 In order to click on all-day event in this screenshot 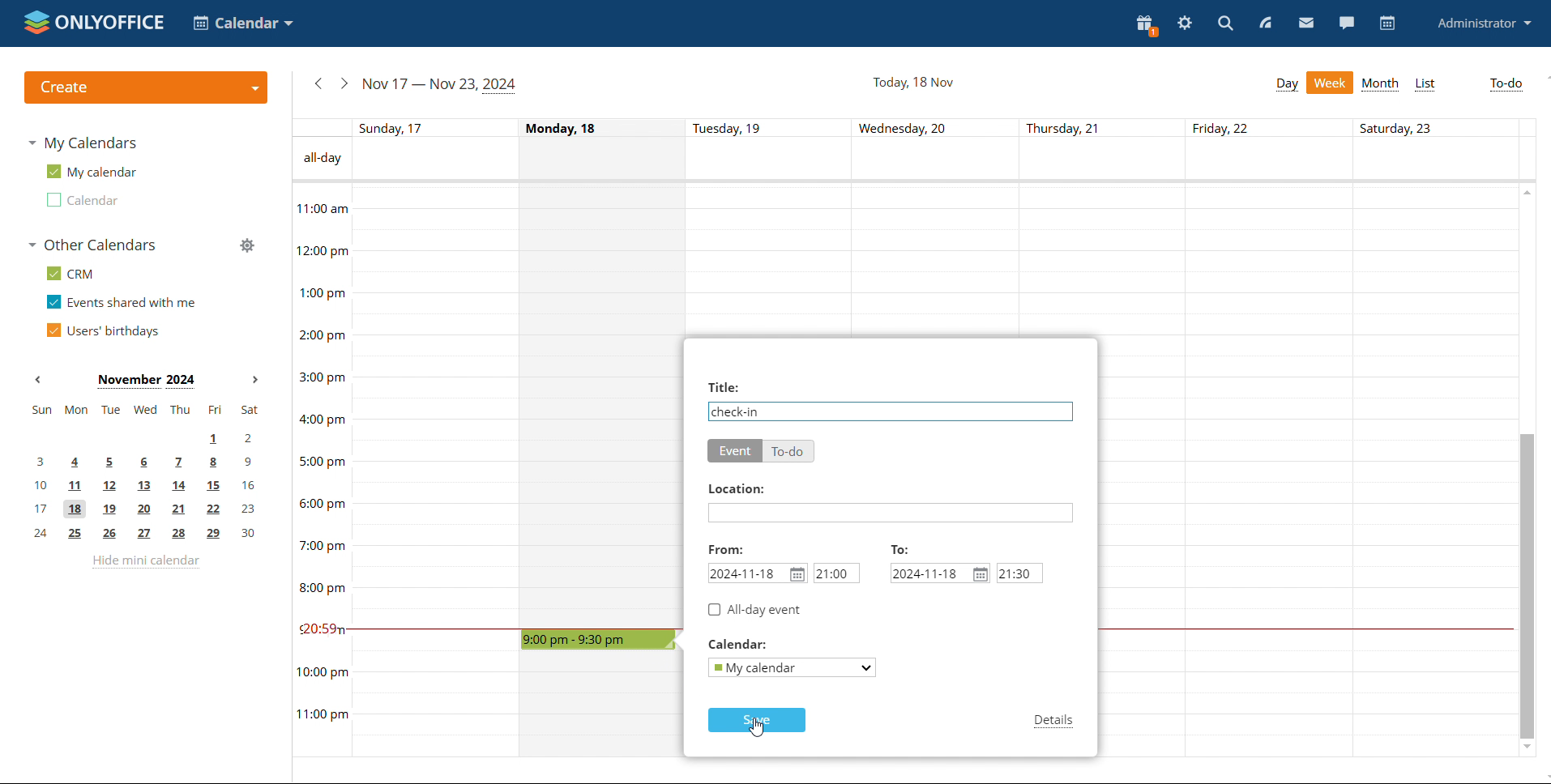, I will do `click(754, 610)`.